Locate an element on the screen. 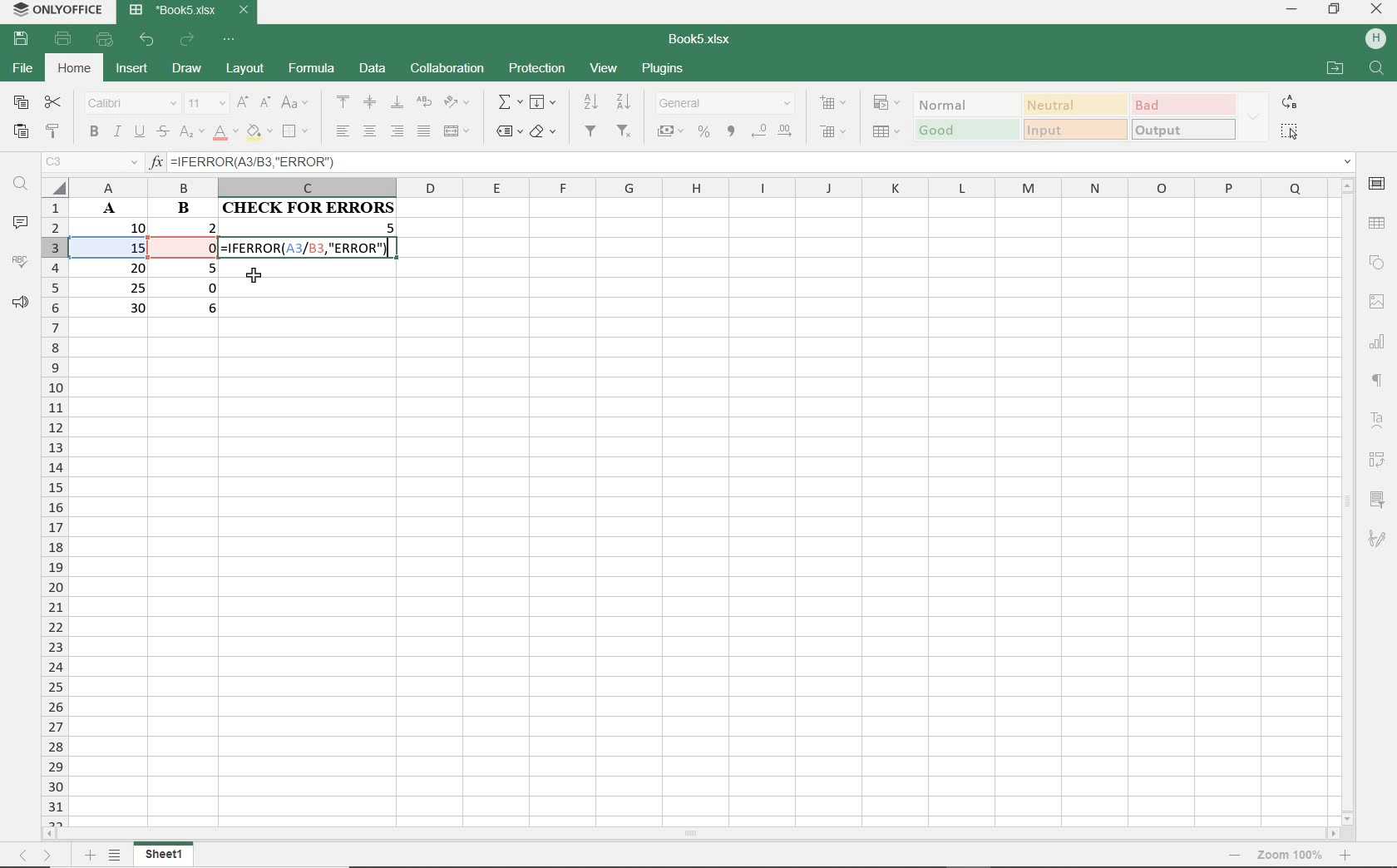  COLLABORATION is located at coordinates (446, 70).